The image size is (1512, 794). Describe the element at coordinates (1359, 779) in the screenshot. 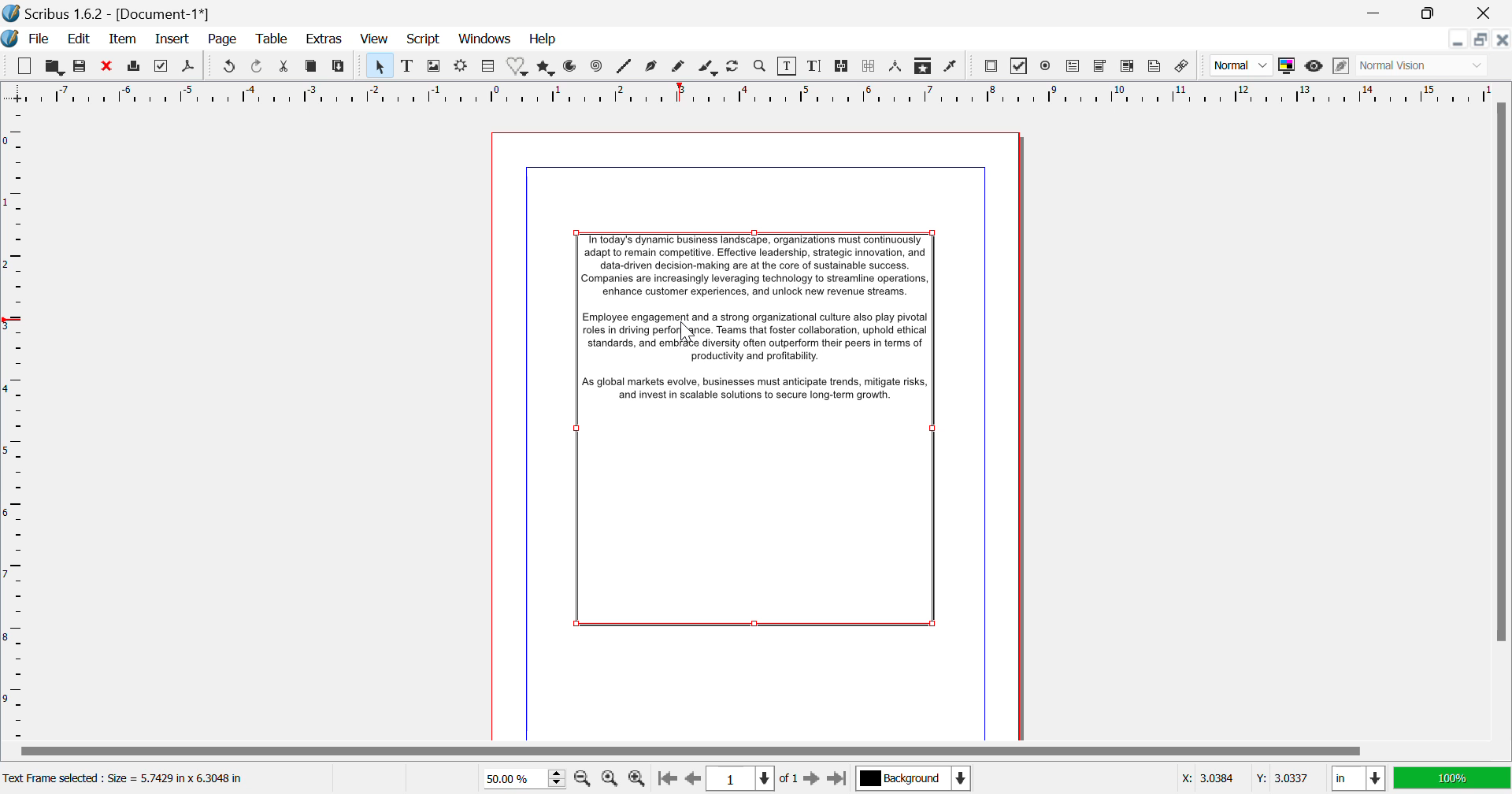

I see `Meausrement Units` at that location.